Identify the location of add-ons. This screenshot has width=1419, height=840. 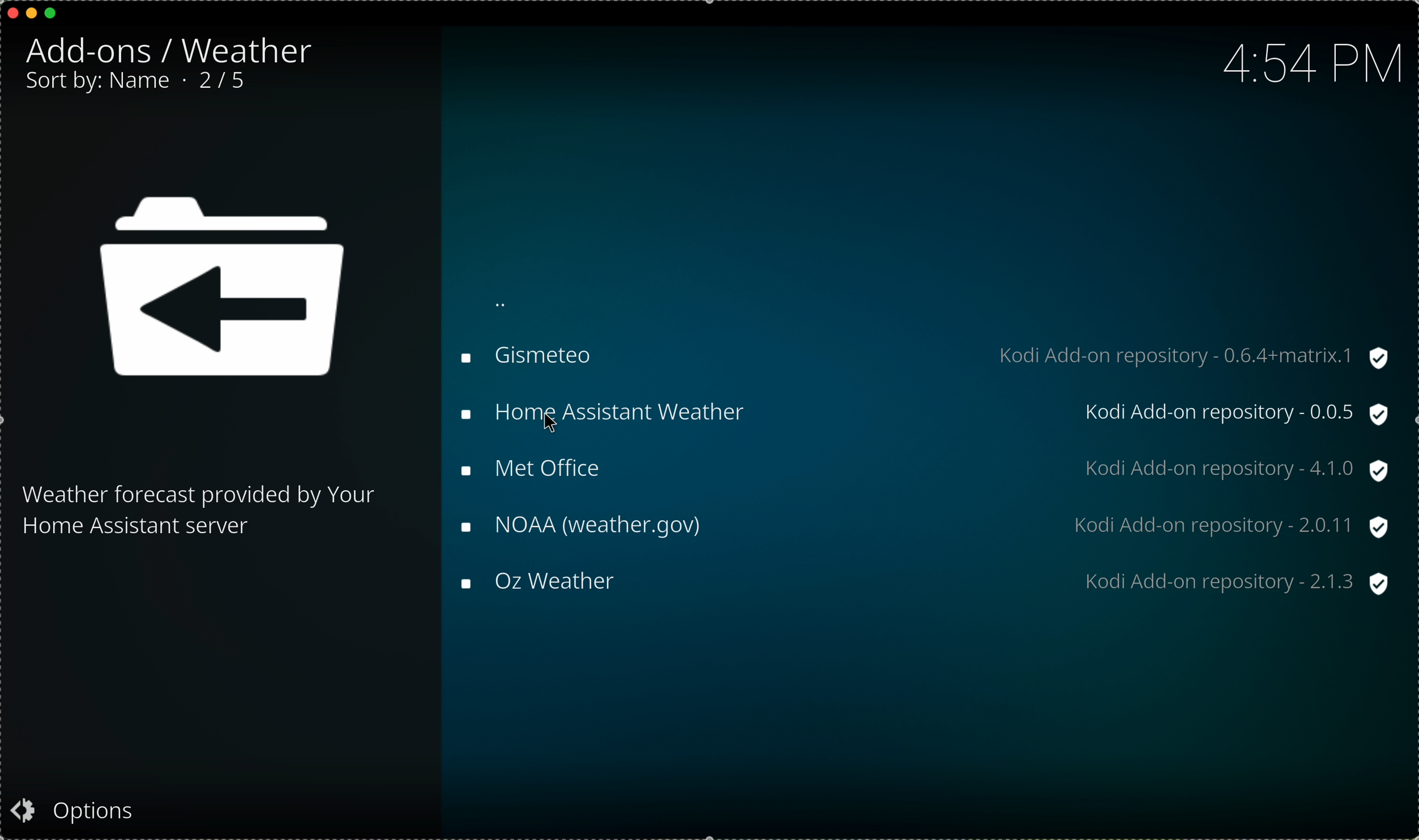
(97, 53).